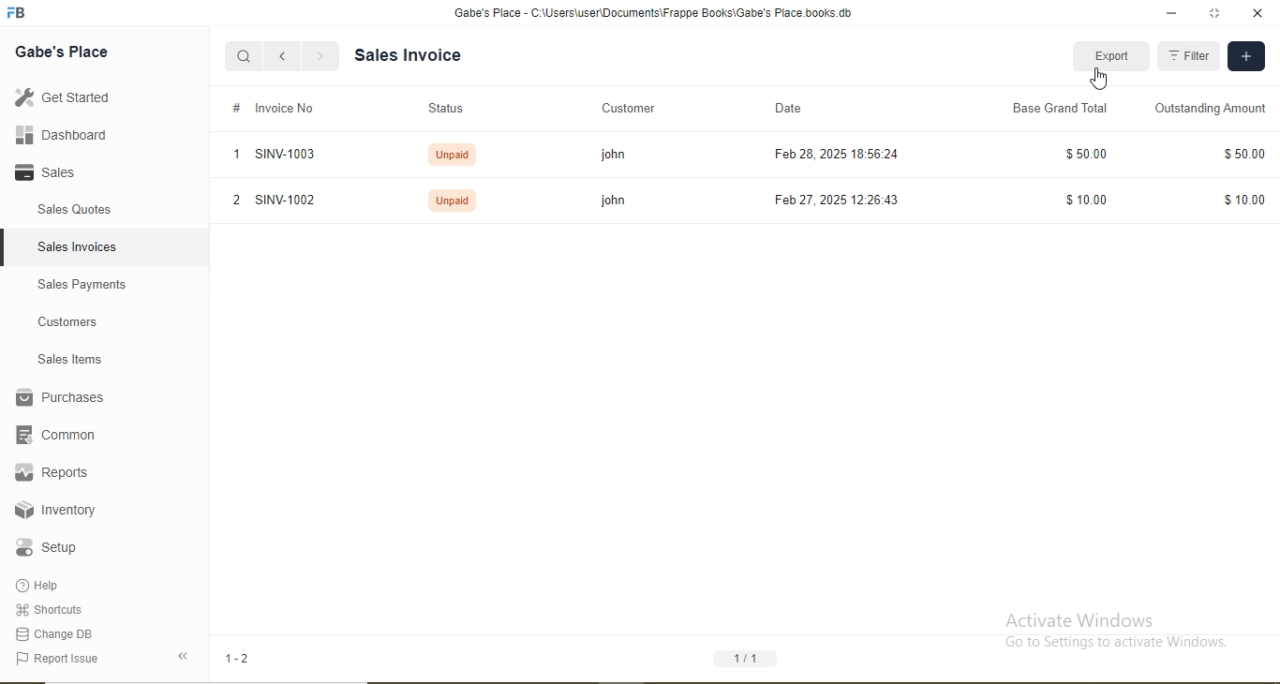  What do you see at coordinates (86, 209) in the screenshot?
I see `Sales Quotes` at bounding box center [86, 209].